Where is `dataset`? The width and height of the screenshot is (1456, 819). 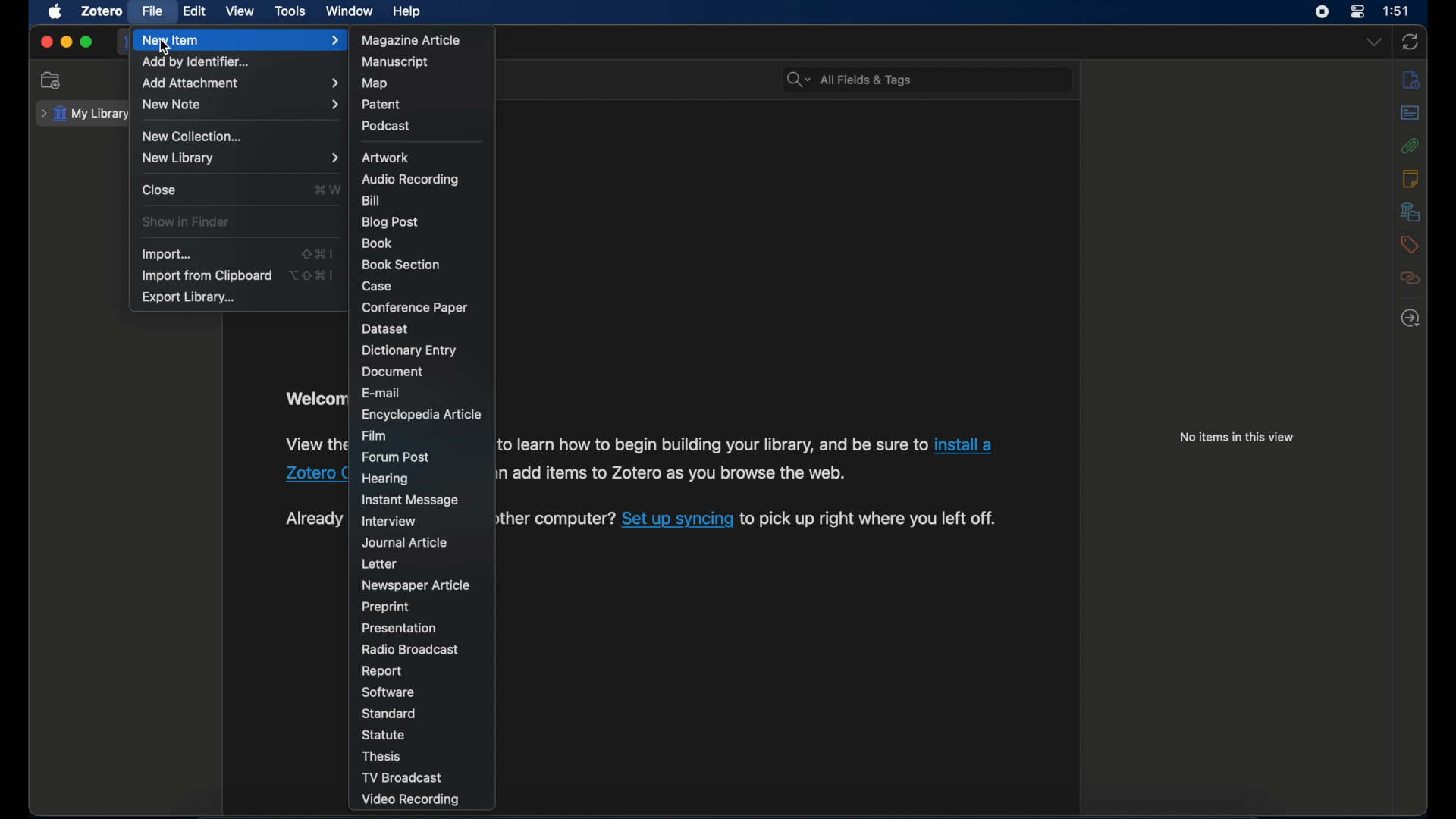
dataset is located at coordinates (385, 328).